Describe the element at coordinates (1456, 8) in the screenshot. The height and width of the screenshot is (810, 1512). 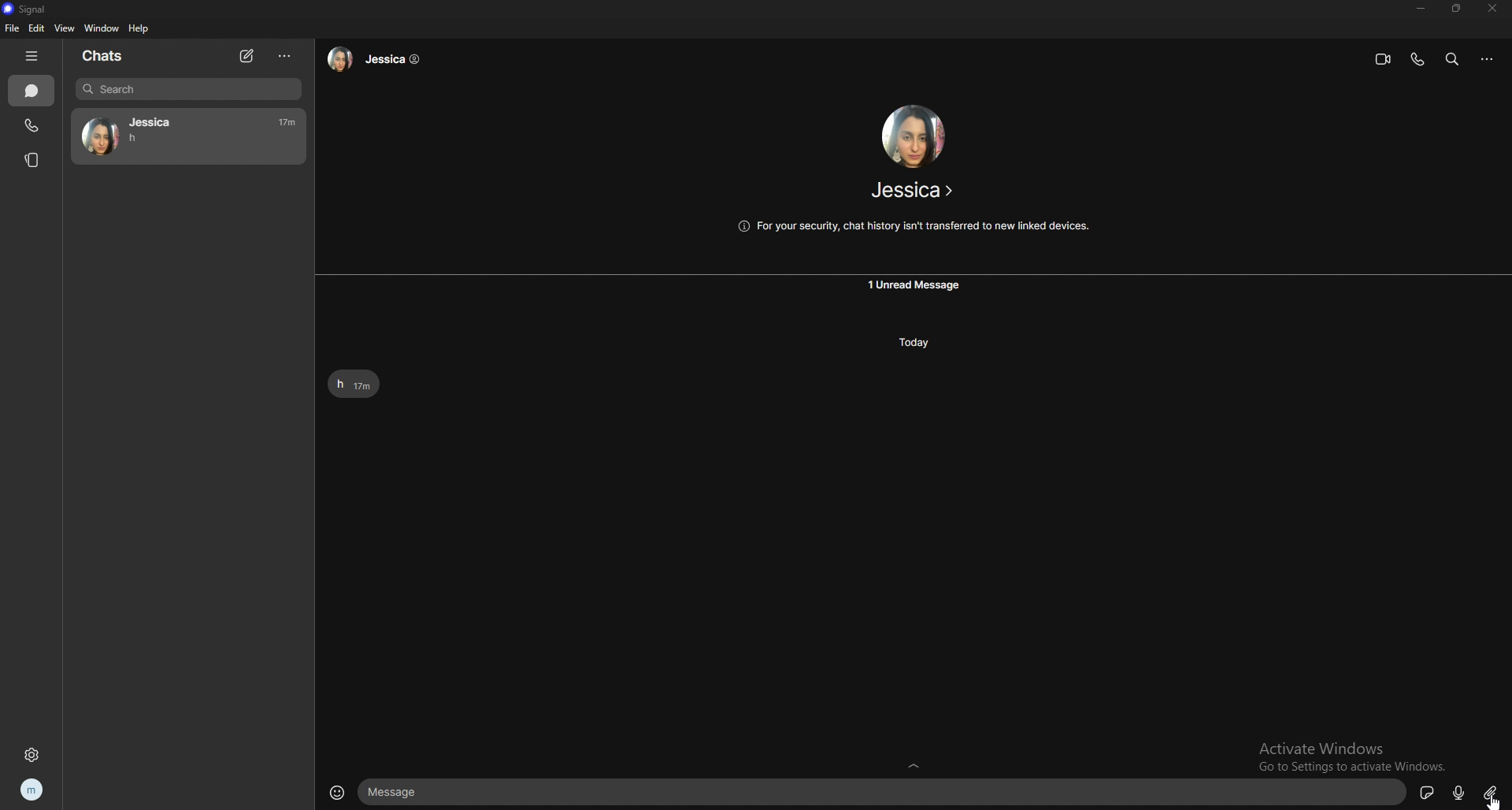
I see `resize` at that location.